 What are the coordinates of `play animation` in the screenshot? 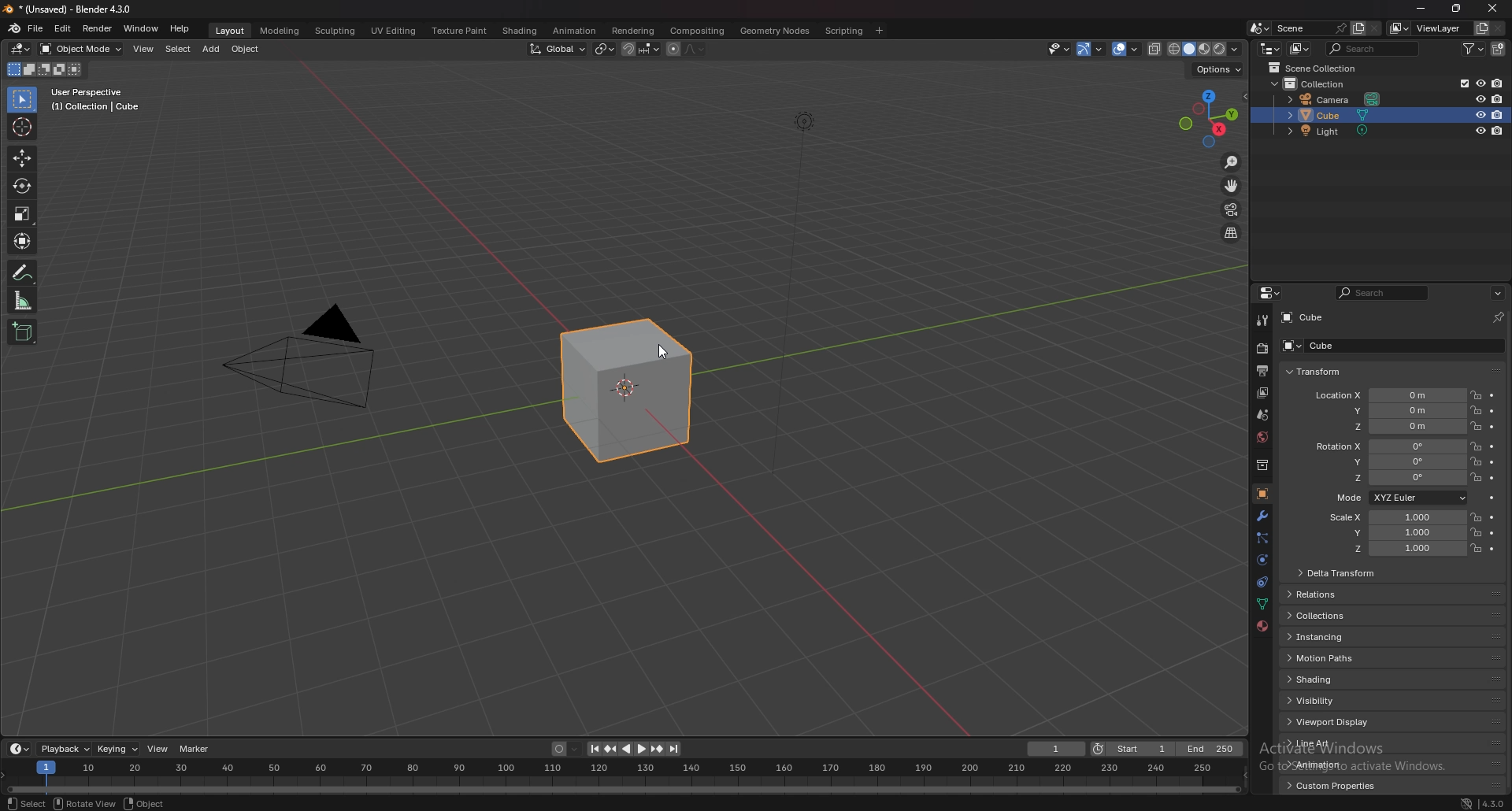 It's located at (633, 748).